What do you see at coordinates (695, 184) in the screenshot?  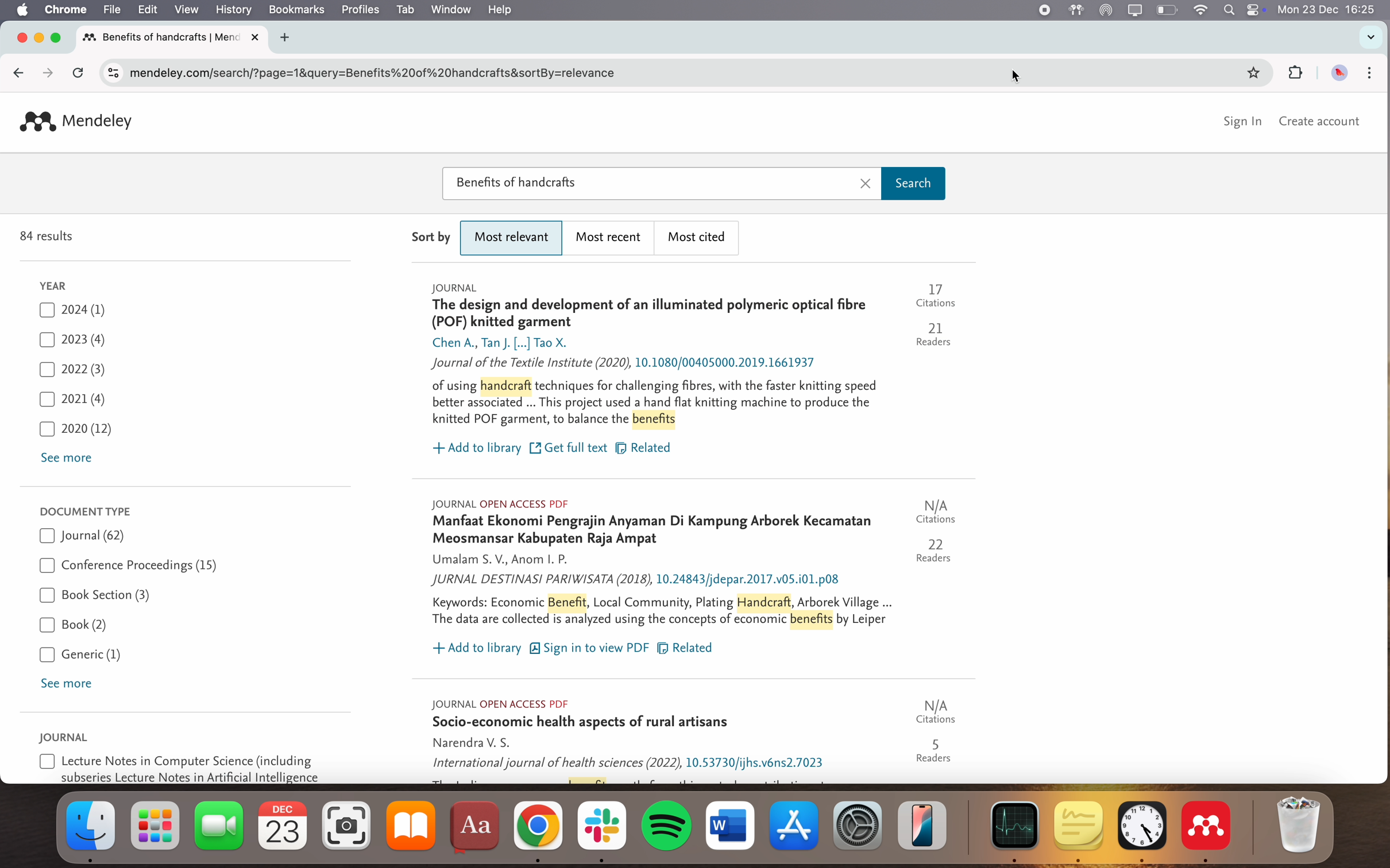 I see `search bar` at bounding box center [695, 184].